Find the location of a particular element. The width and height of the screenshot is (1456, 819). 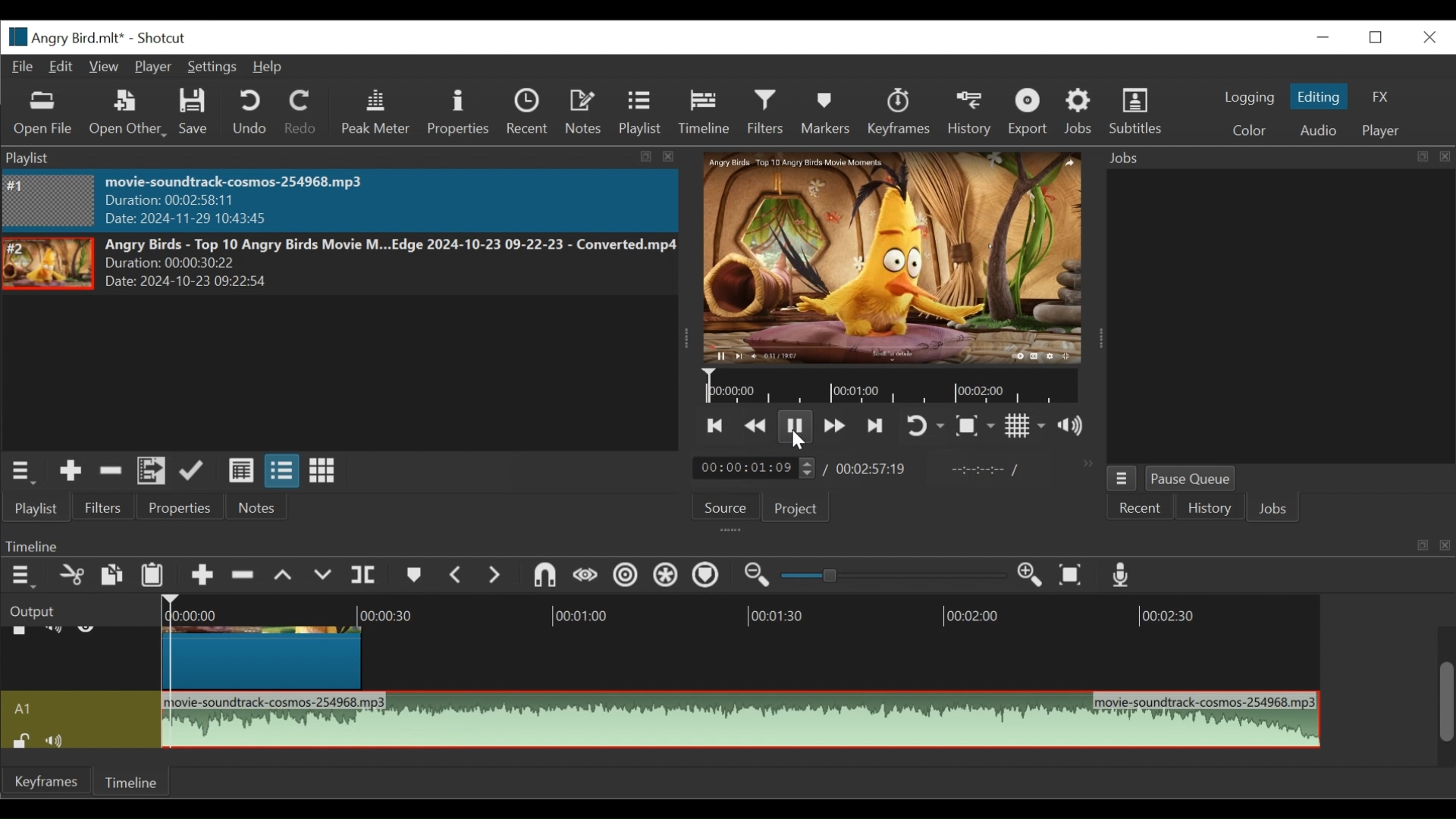

Media Viewer is located at coordinates (890, 258).